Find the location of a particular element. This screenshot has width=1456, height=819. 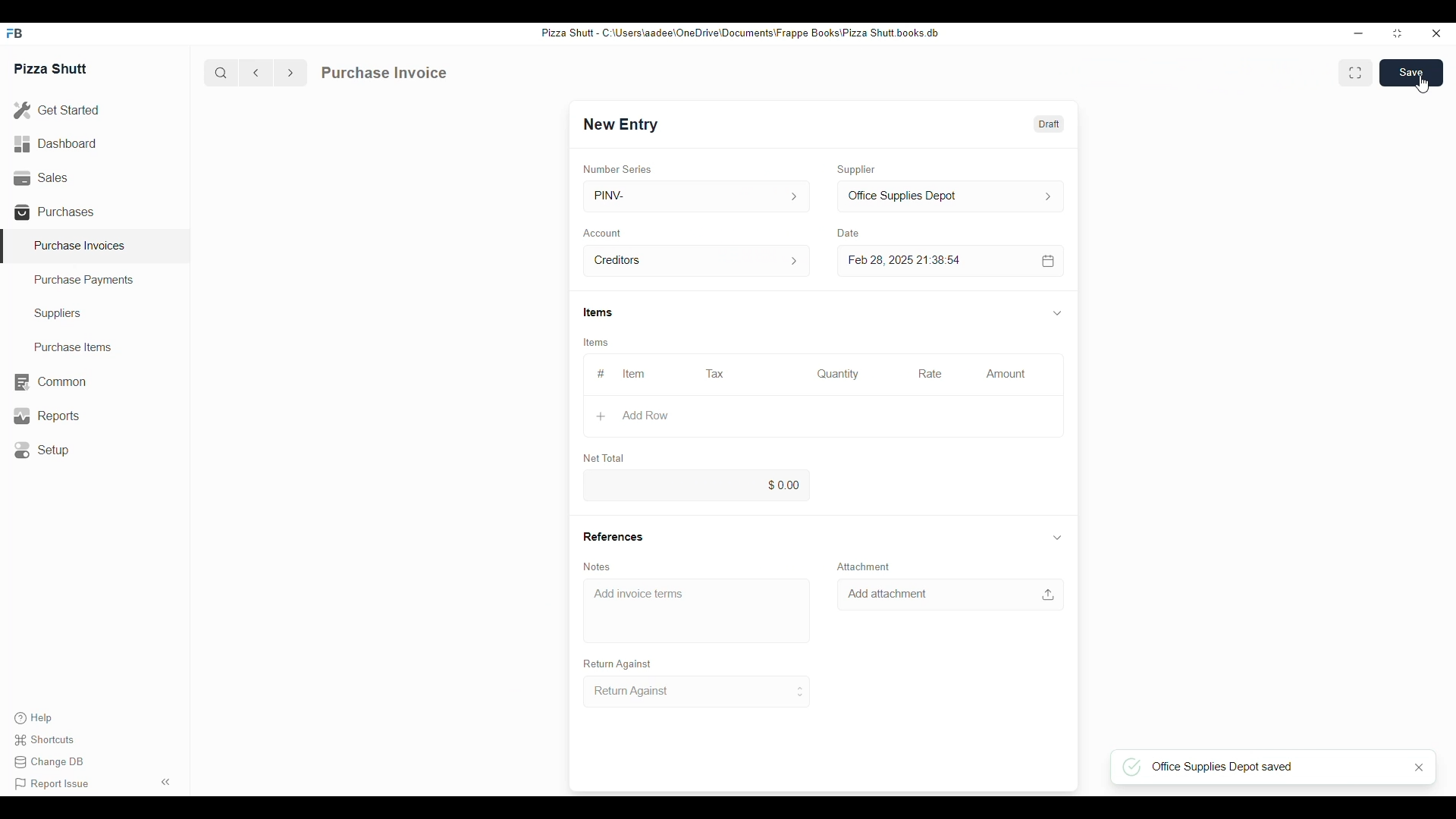

Feb 28, 2025 21:38:54 is located at coordinates (907, 260).